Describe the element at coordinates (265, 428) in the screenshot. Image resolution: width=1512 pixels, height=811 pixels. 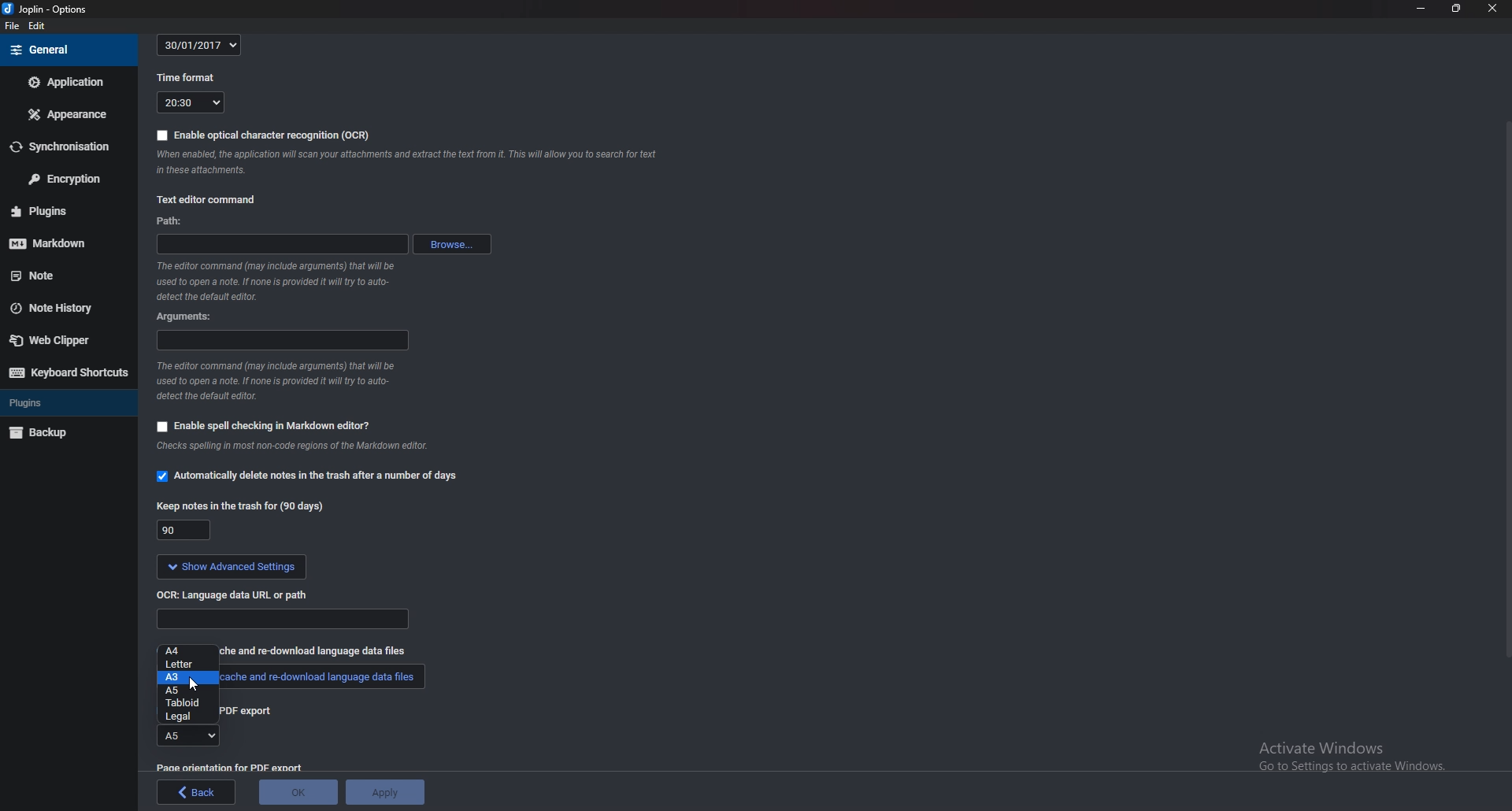
I see `Enable spell checking` at that location.